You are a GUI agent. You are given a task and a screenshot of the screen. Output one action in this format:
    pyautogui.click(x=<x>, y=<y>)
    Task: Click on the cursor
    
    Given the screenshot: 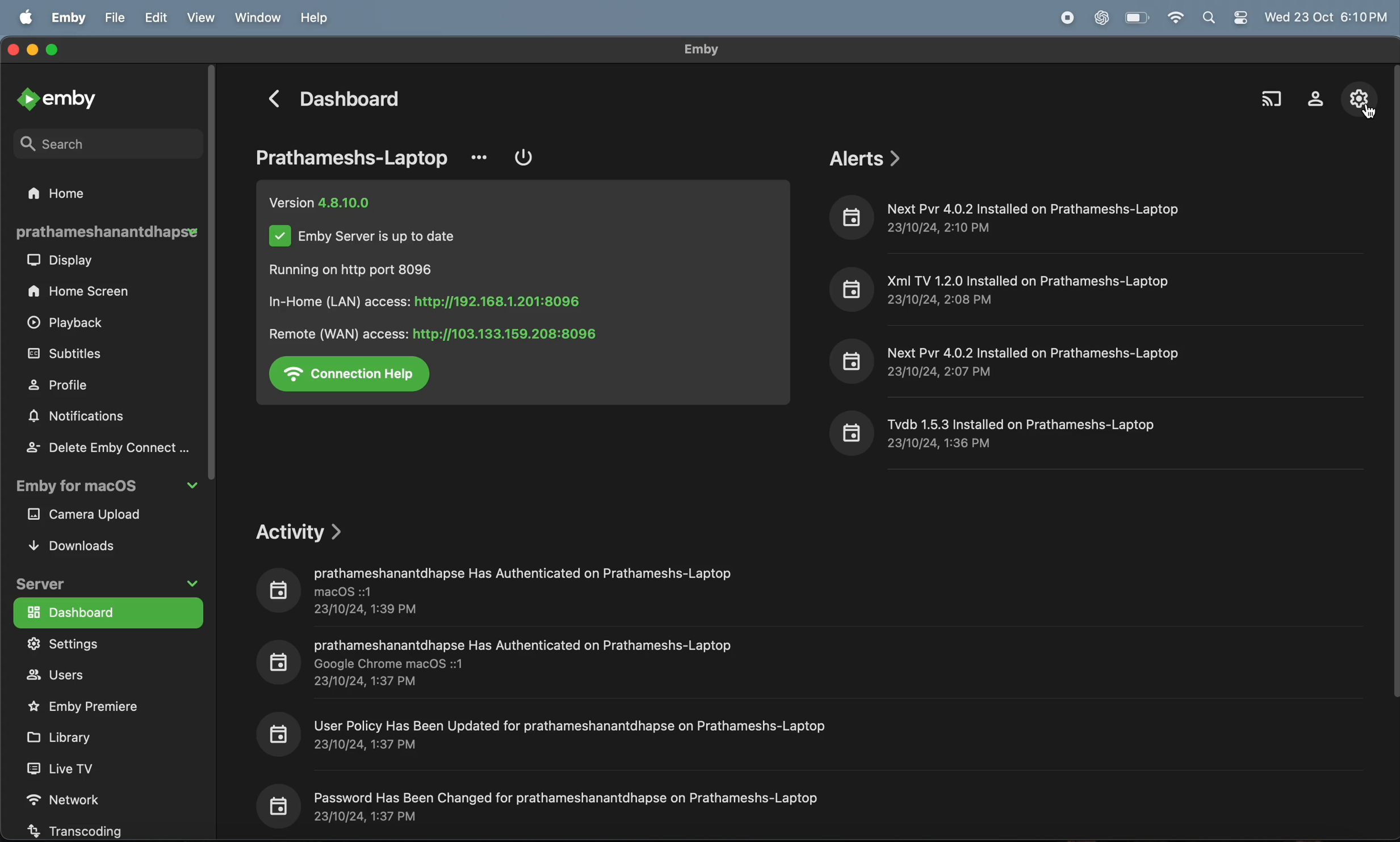 What is the action you would take?
    pyautogui.click(x=1370, y=112)
    